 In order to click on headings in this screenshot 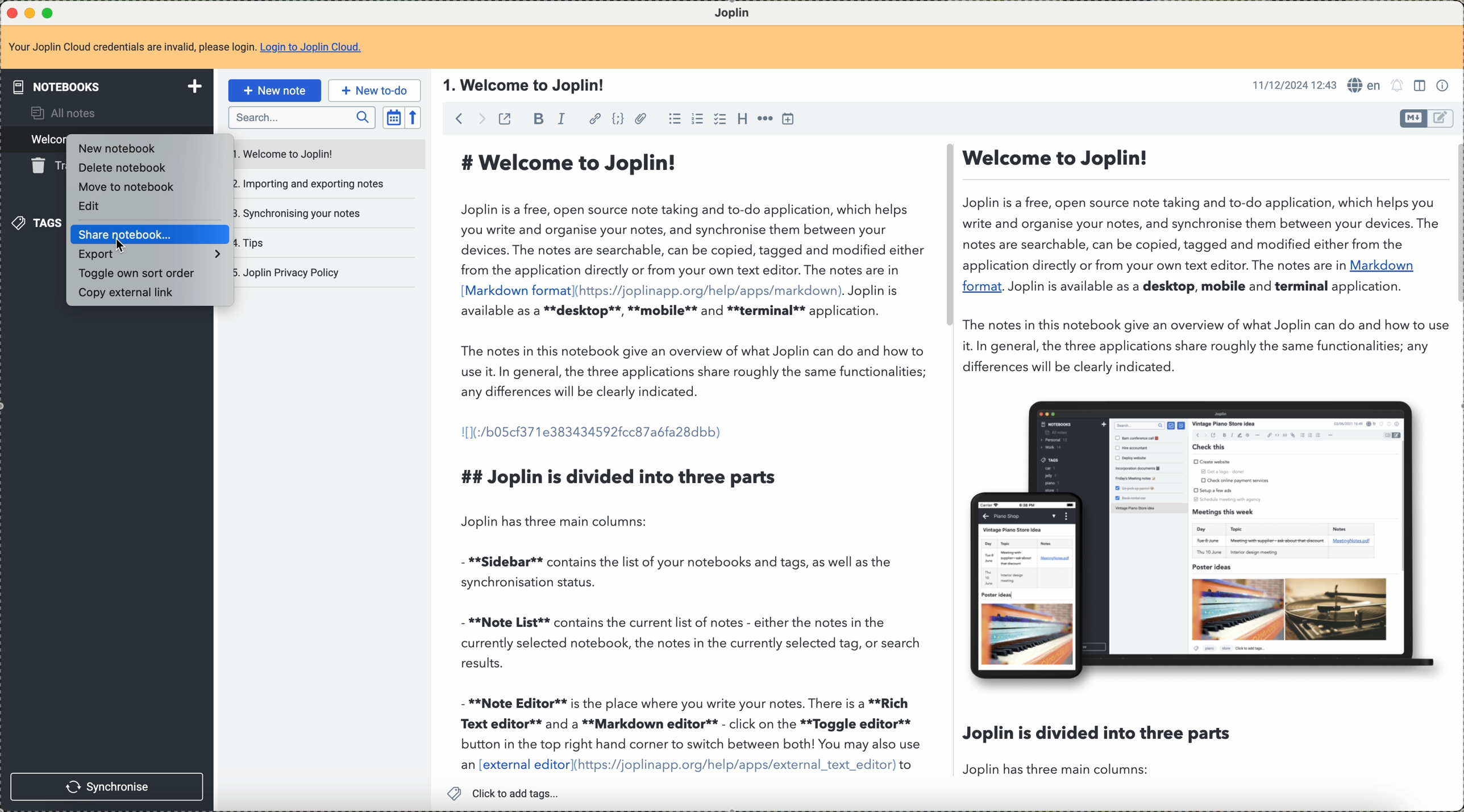, I will do `click(741, 118)`.